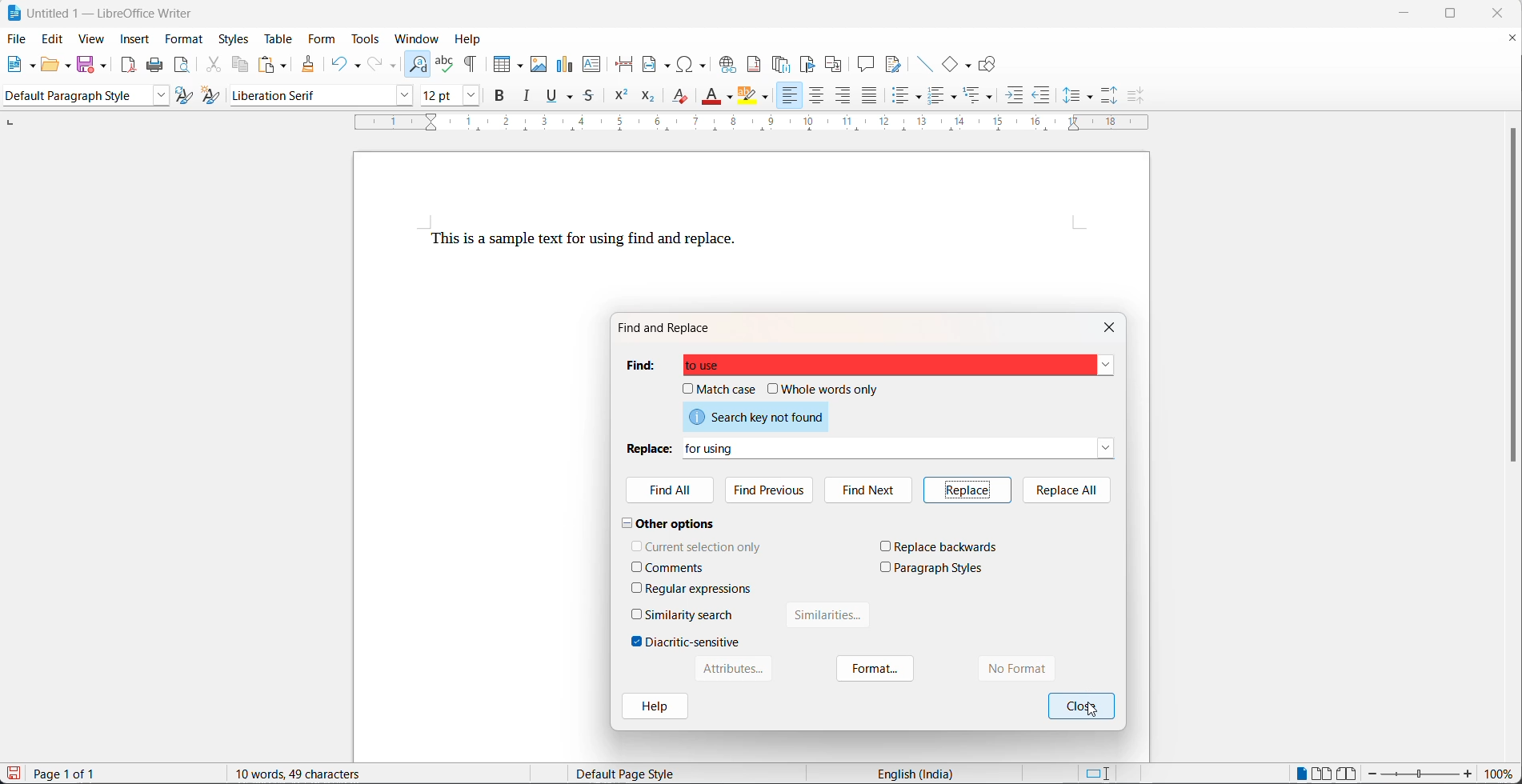 Image resolution: width=1522 pixels, height=784 pixels. Describe the element at coordinates (886, 566) in the screenshot. I see `checkbox` at that location.